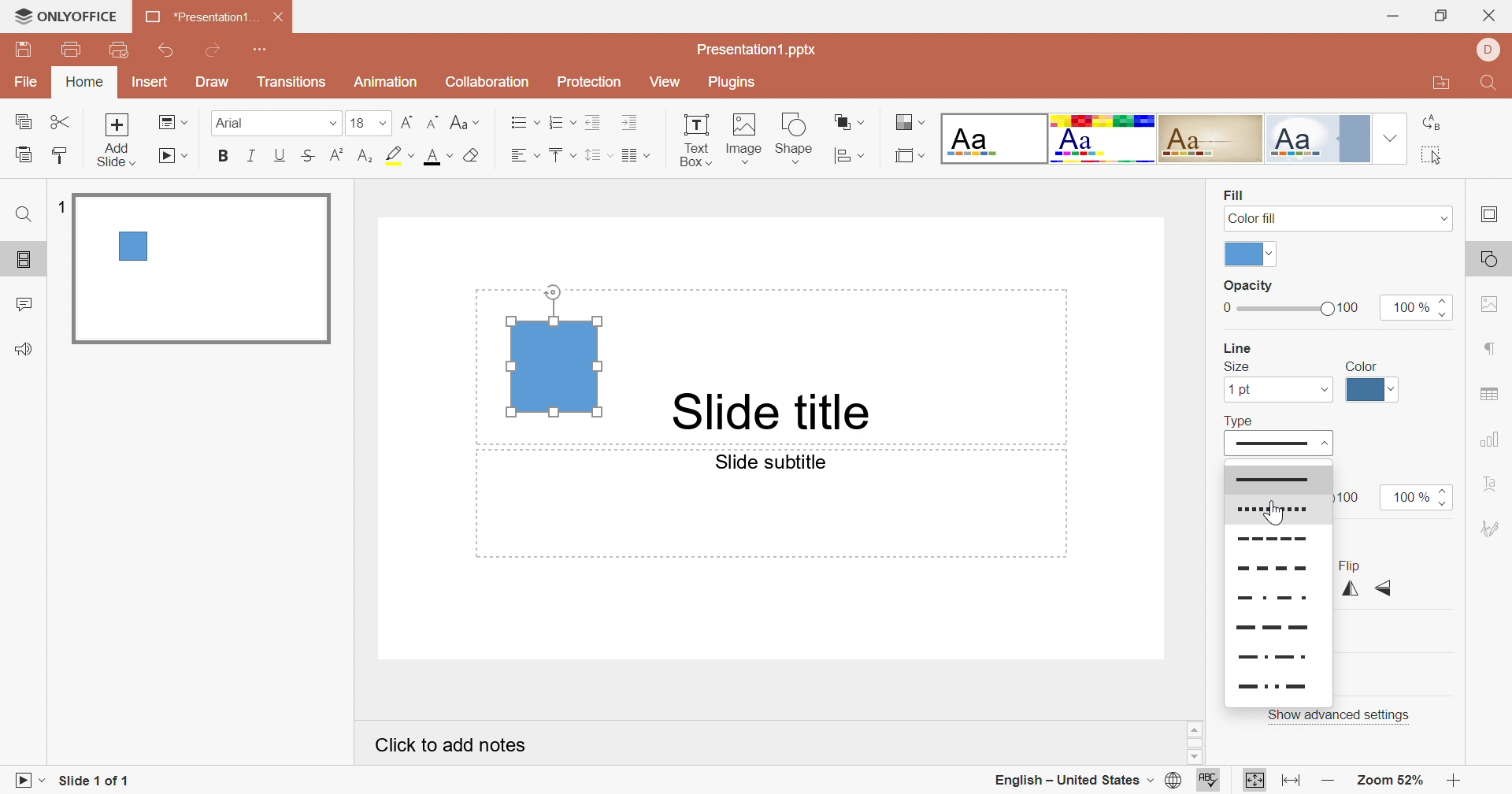 The image size is (1512, 794). What do you see at coordinates (31, 782) in the screenshot?
I see `Start slideshow` at bounding box center [31, 782].